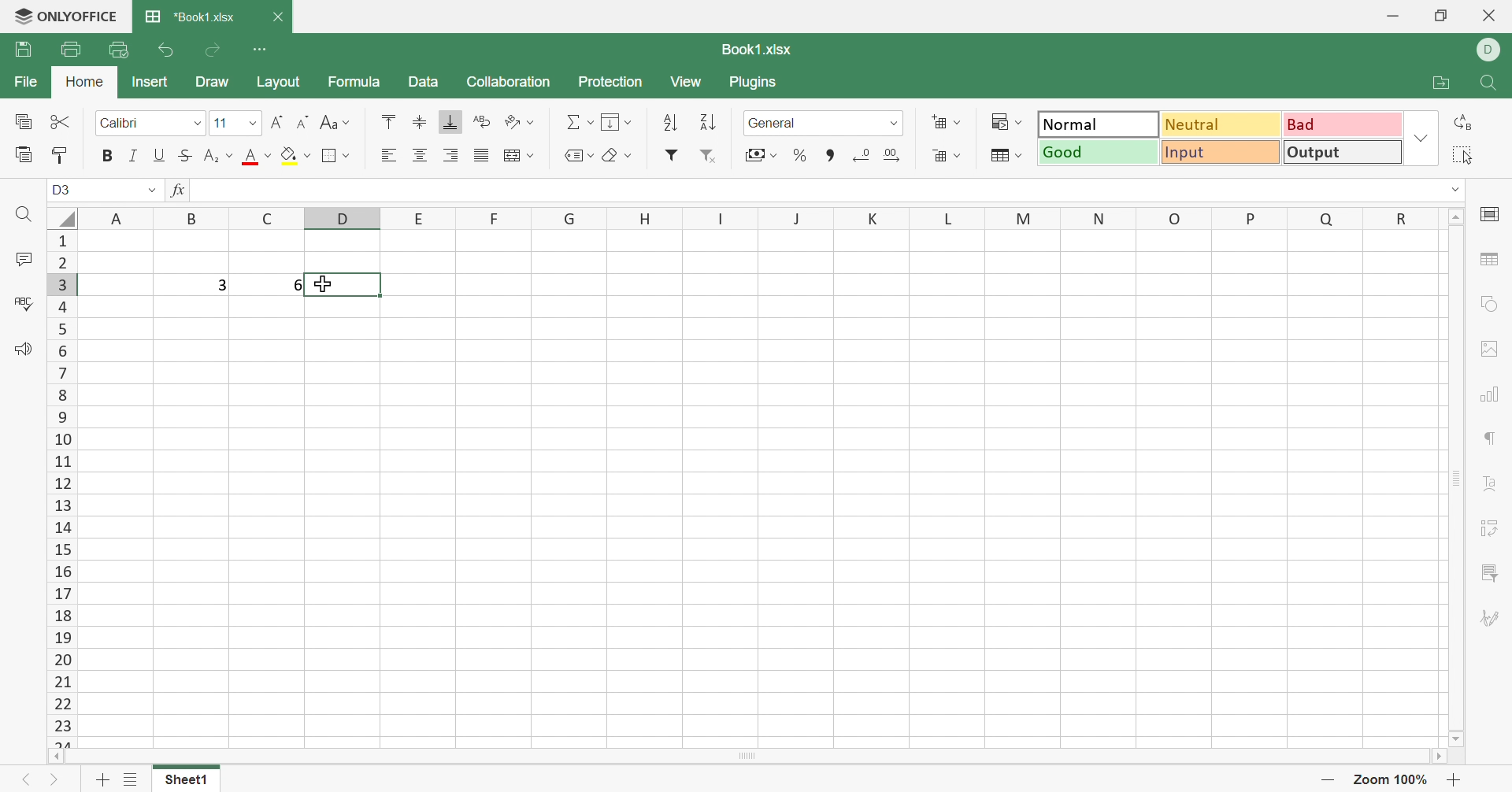 This screenshot has height=792, width=1512. I want to click on Plugins, so click(754, 80).